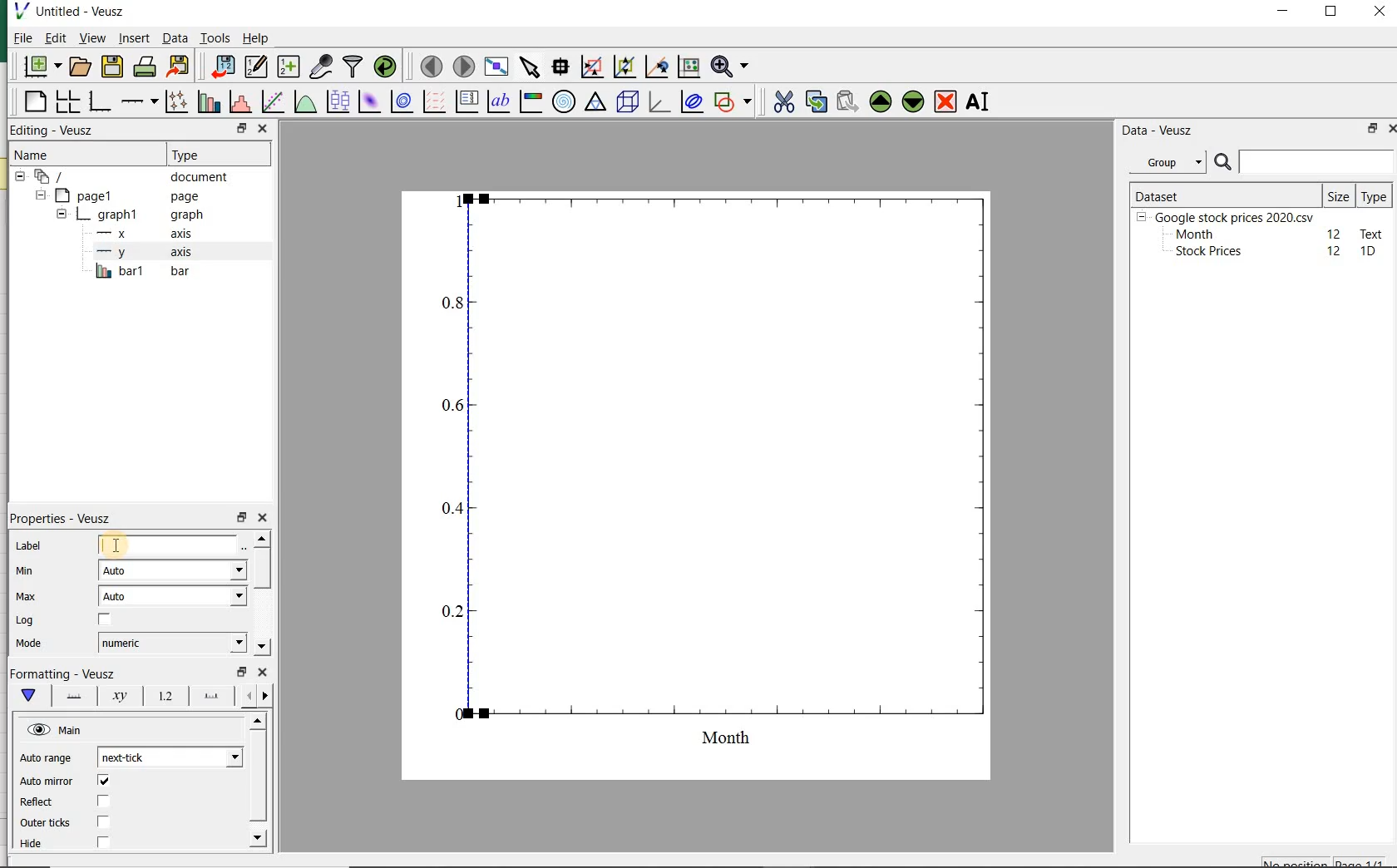 The height and width of the screenshot is (868, 1397). I want to click on plot points with lines and errorbars, so click(173, 103).